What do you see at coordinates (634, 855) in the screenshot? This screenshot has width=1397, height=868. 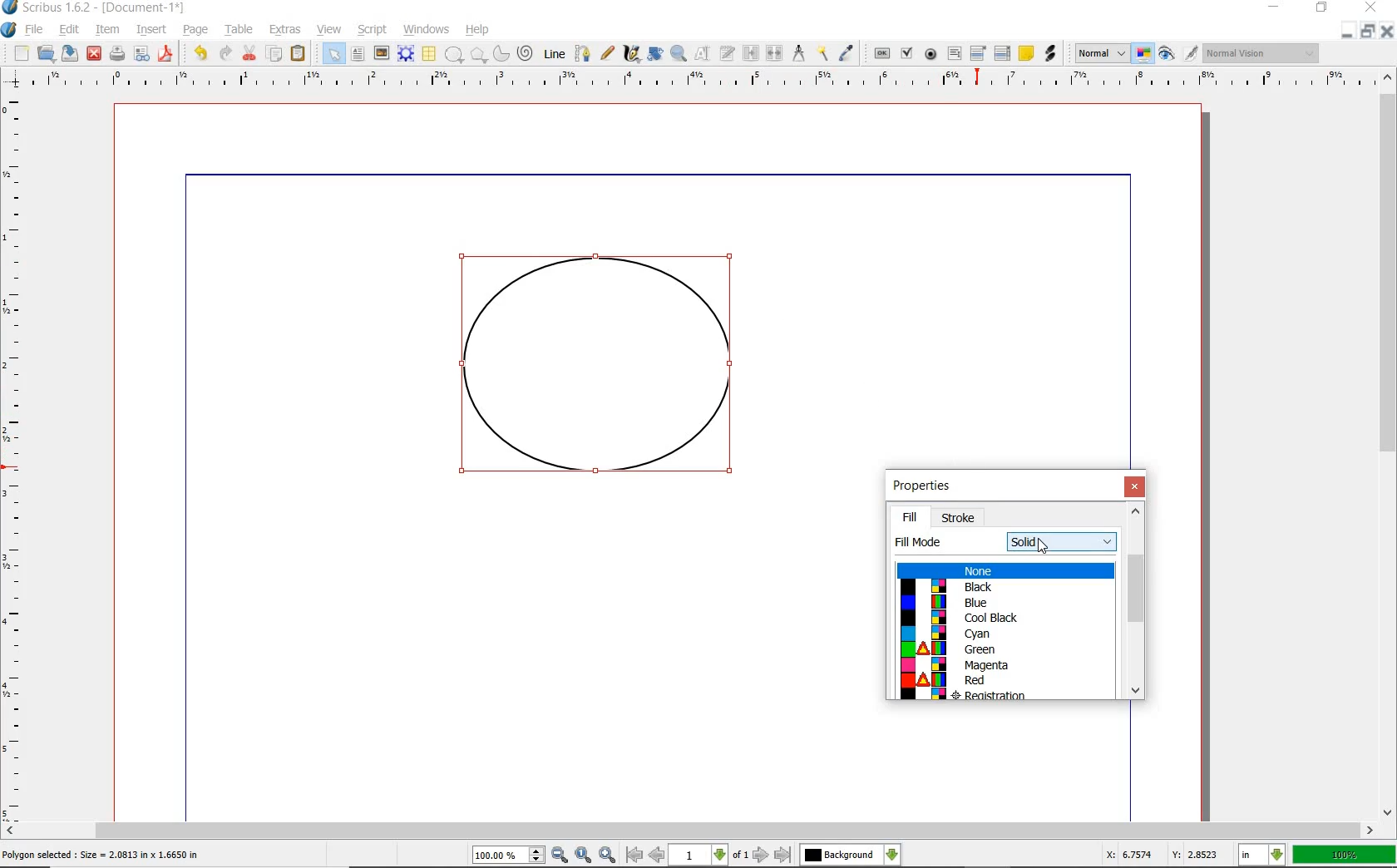 I see `first` at bounding box center [634, 855].